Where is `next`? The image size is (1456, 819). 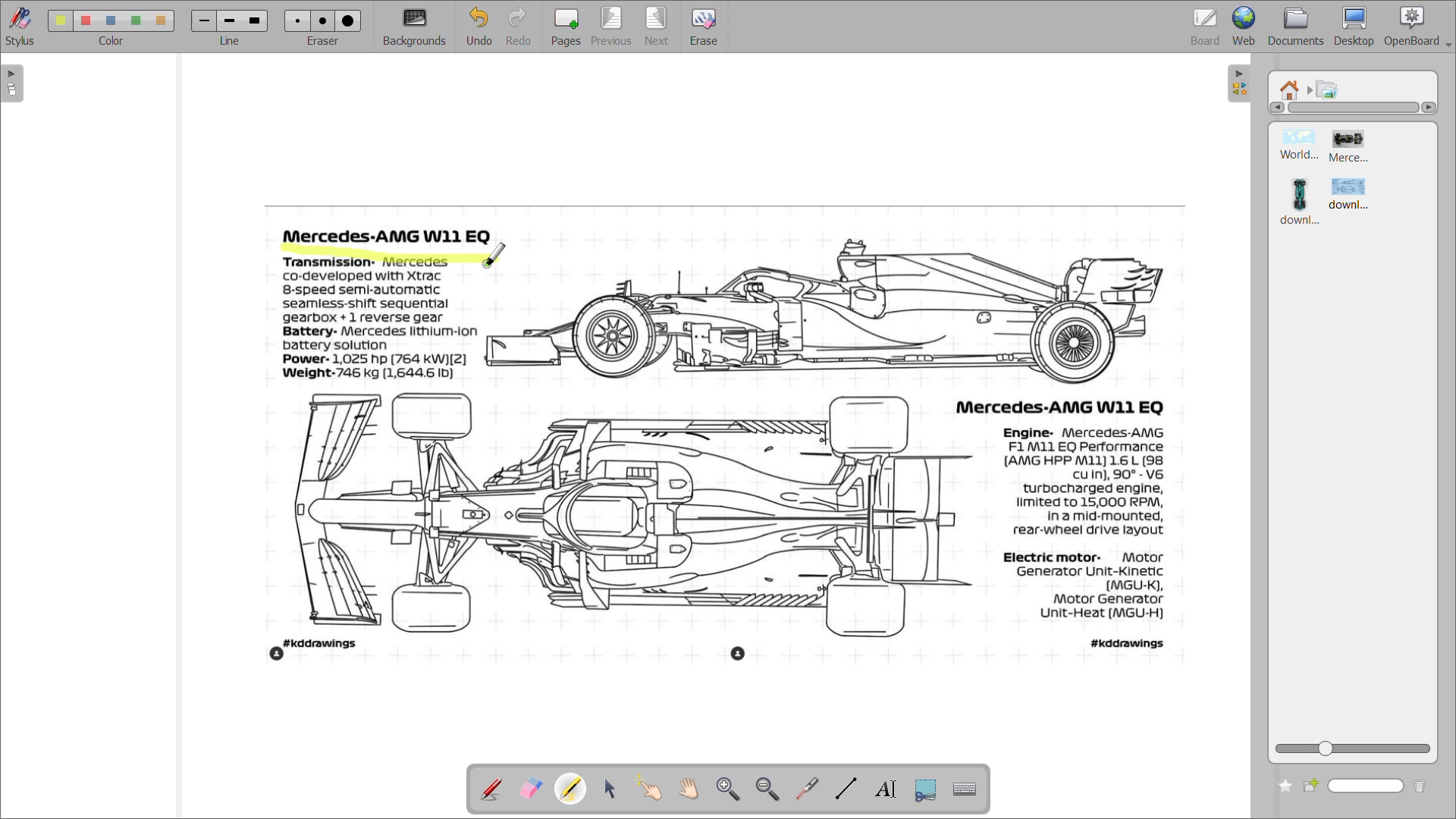
next is located at coordinates (658, 25).